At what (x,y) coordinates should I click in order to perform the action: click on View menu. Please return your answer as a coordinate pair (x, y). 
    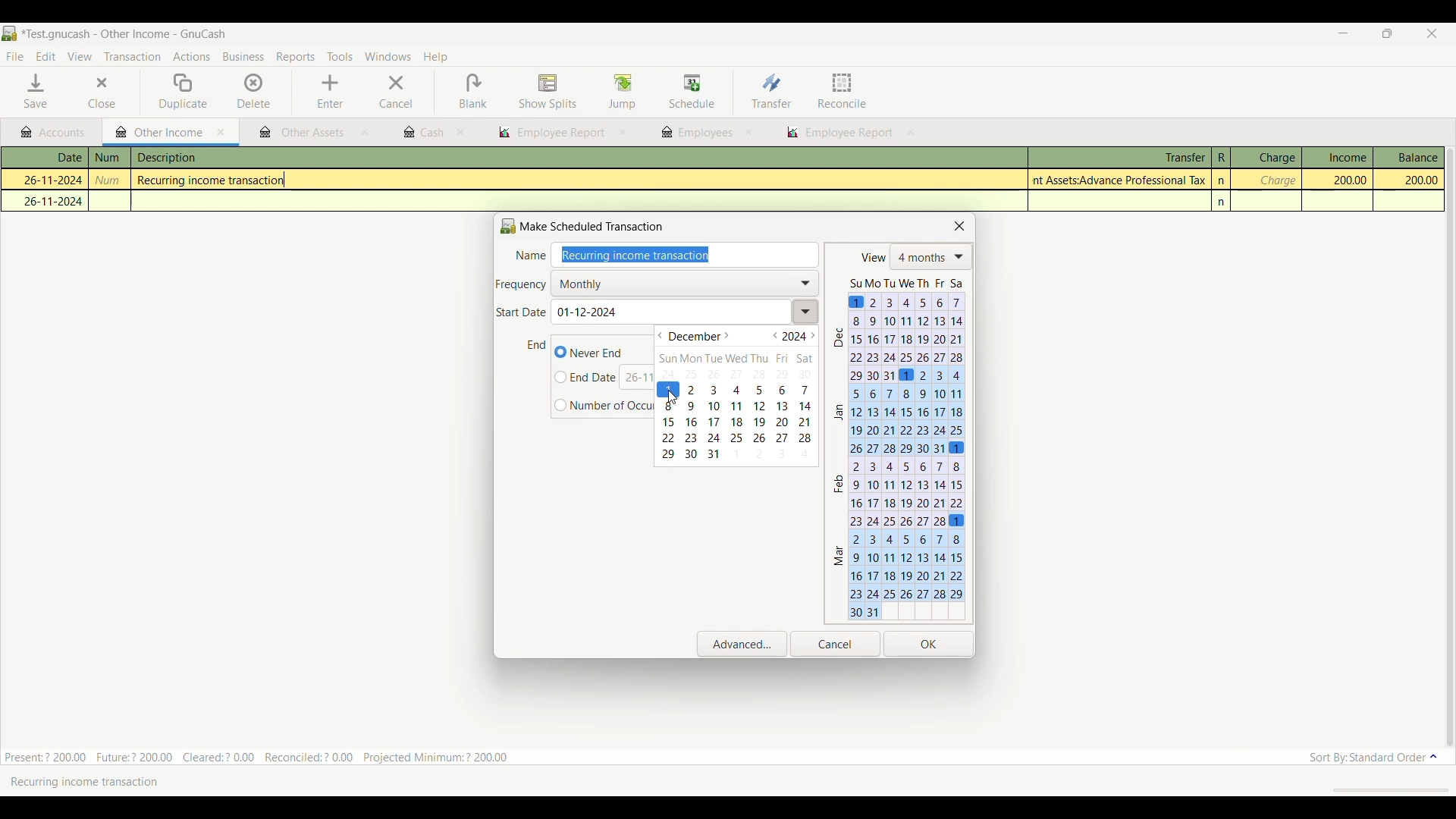
    Looking at the image, I should click on (79, 57).